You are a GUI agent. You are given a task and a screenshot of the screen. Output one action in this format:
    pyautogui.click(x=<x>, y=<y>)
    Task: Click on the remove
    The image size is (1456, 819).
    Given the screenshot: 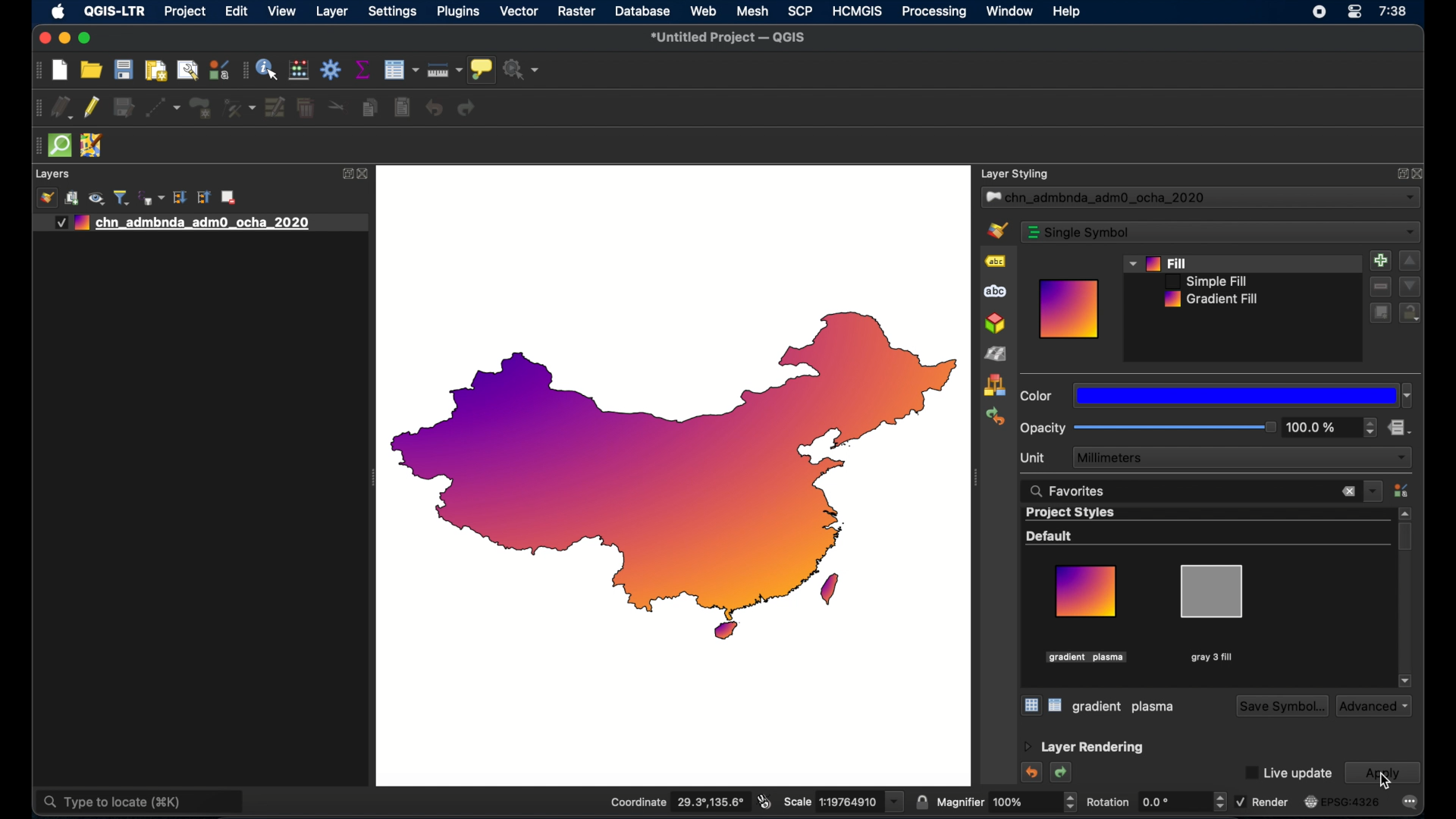 What is the action you would take?
    pyautogui.click(x=1379, y=287)
    